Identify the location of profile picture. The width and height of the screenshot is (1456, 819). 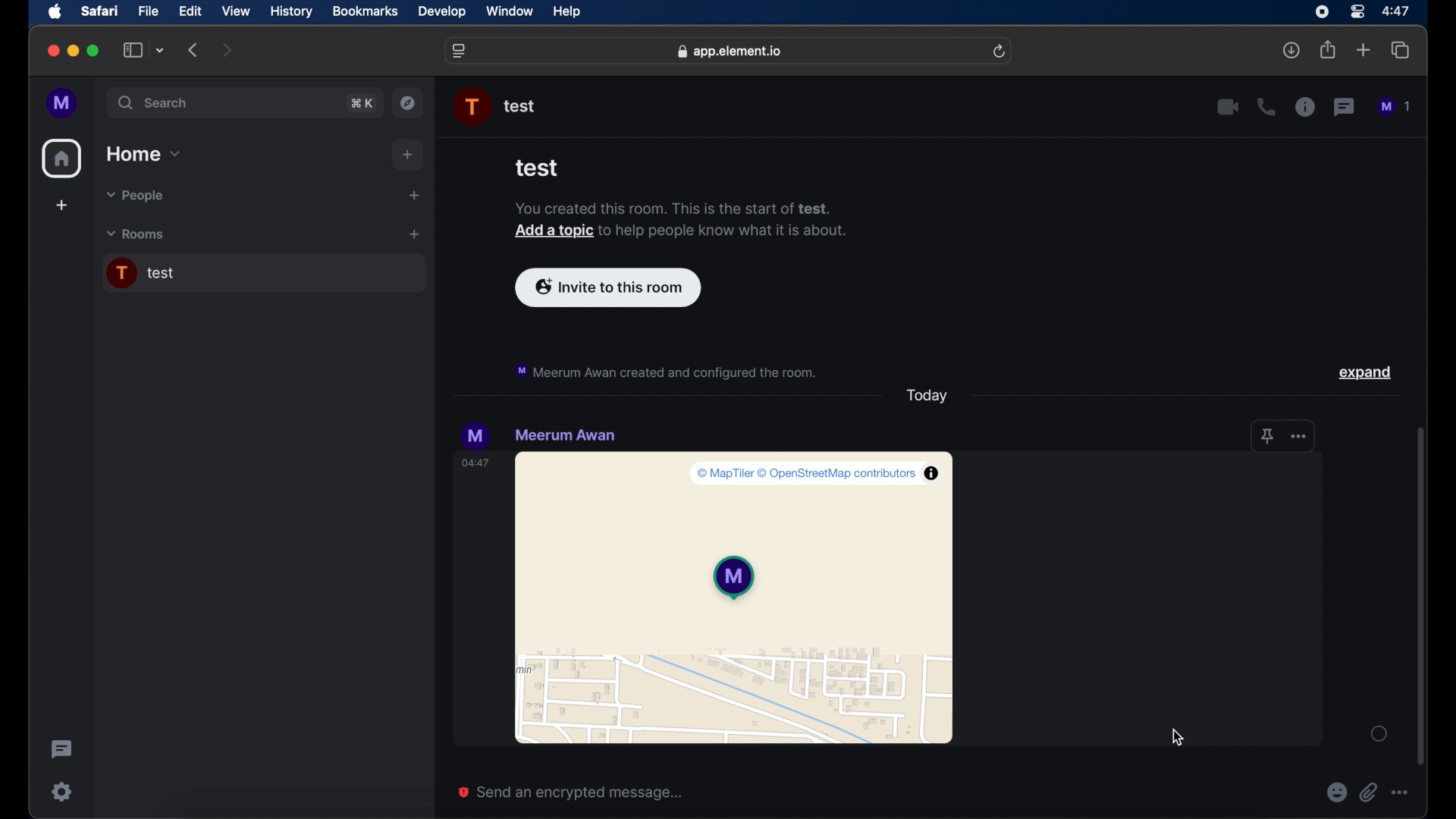
(473, 107).